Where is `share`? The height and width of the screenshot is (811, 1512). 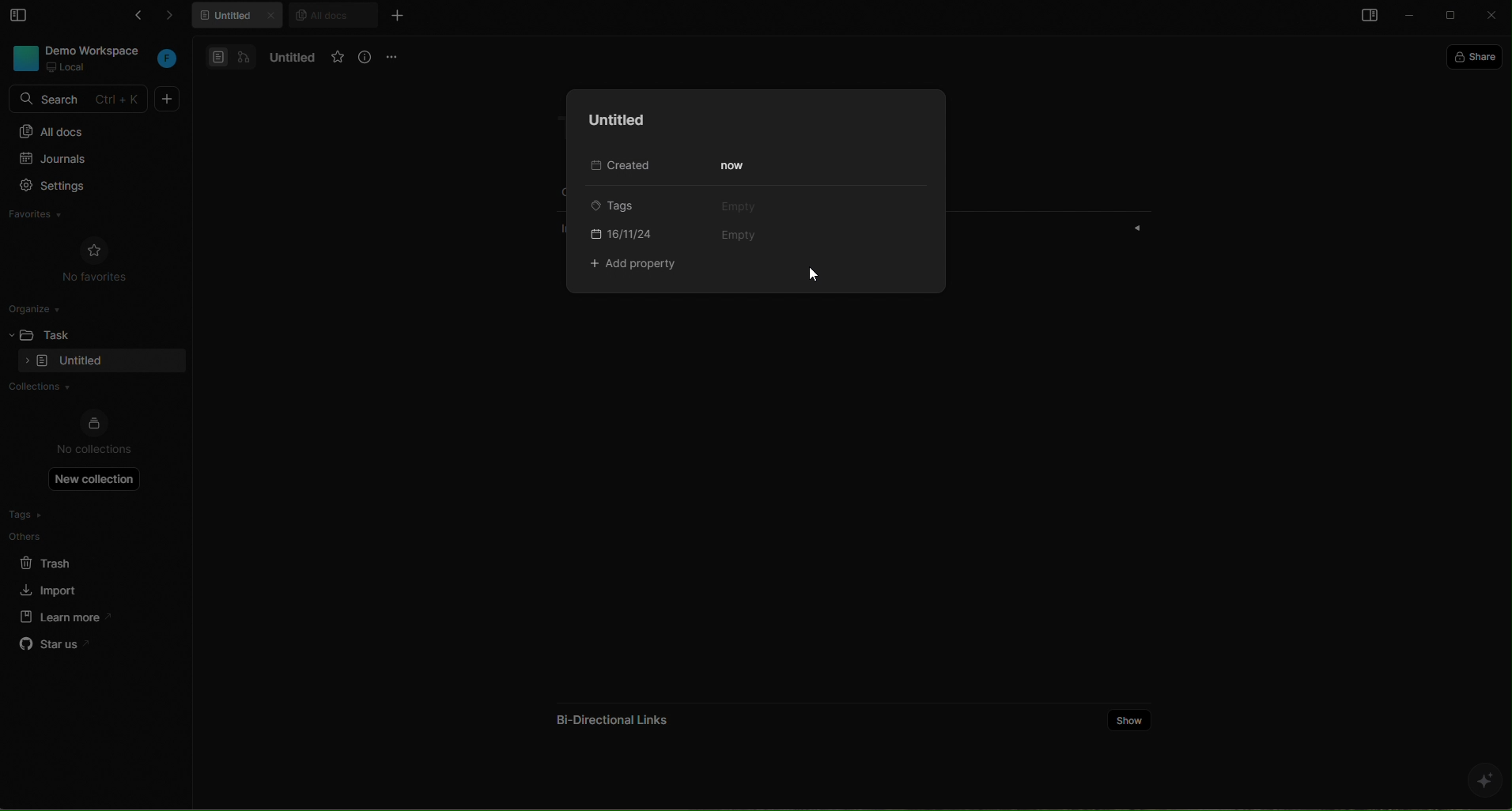
share is located at coordinates (1478, 55).